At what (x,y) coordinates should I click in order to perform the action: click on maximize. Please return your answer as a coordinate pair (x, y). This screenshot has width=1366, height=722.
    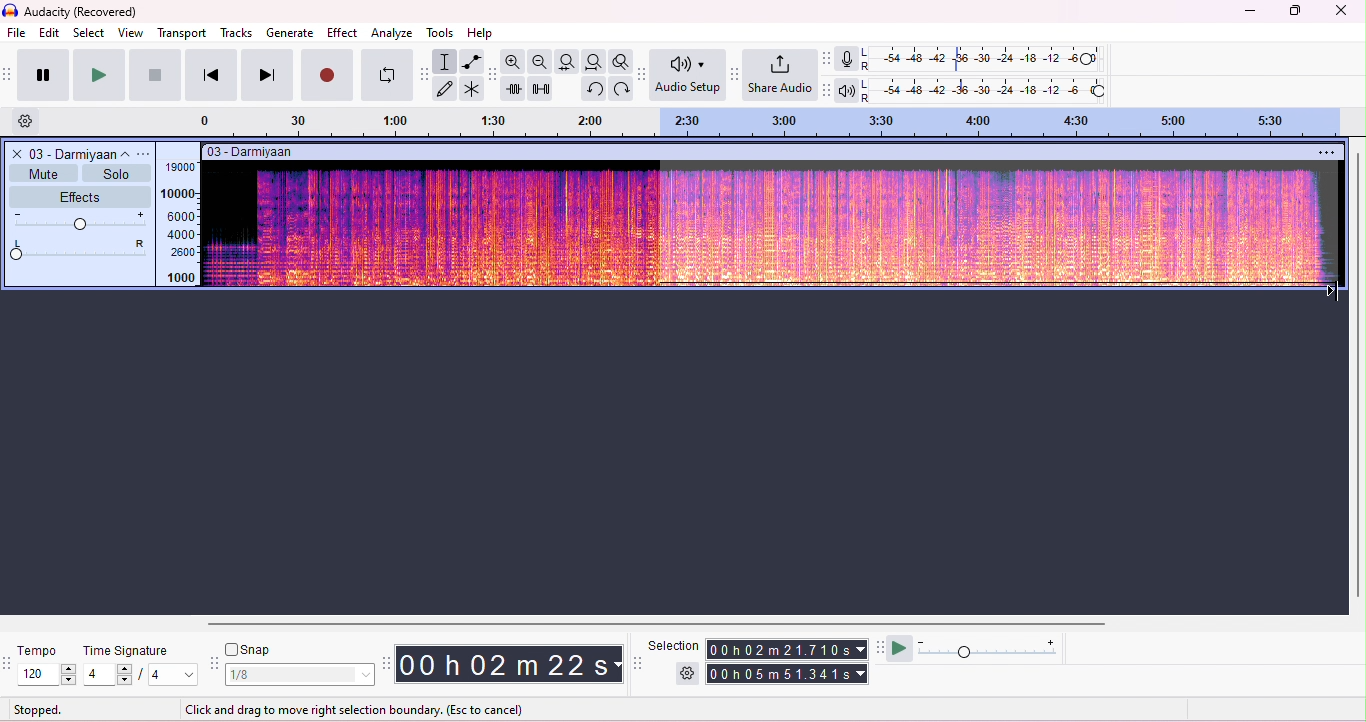
    Looking at the image, I should click on (1293, 11).